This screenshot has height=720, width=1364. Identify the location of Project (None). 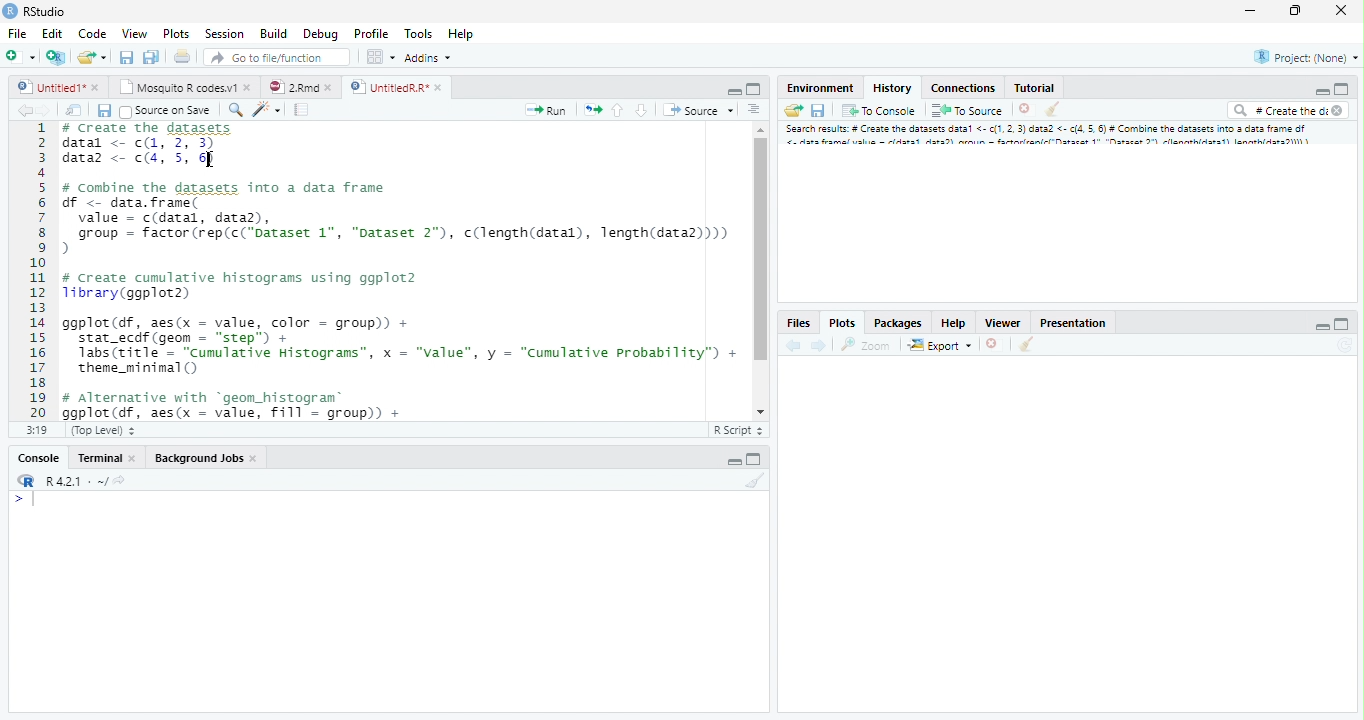
(1308, 57).